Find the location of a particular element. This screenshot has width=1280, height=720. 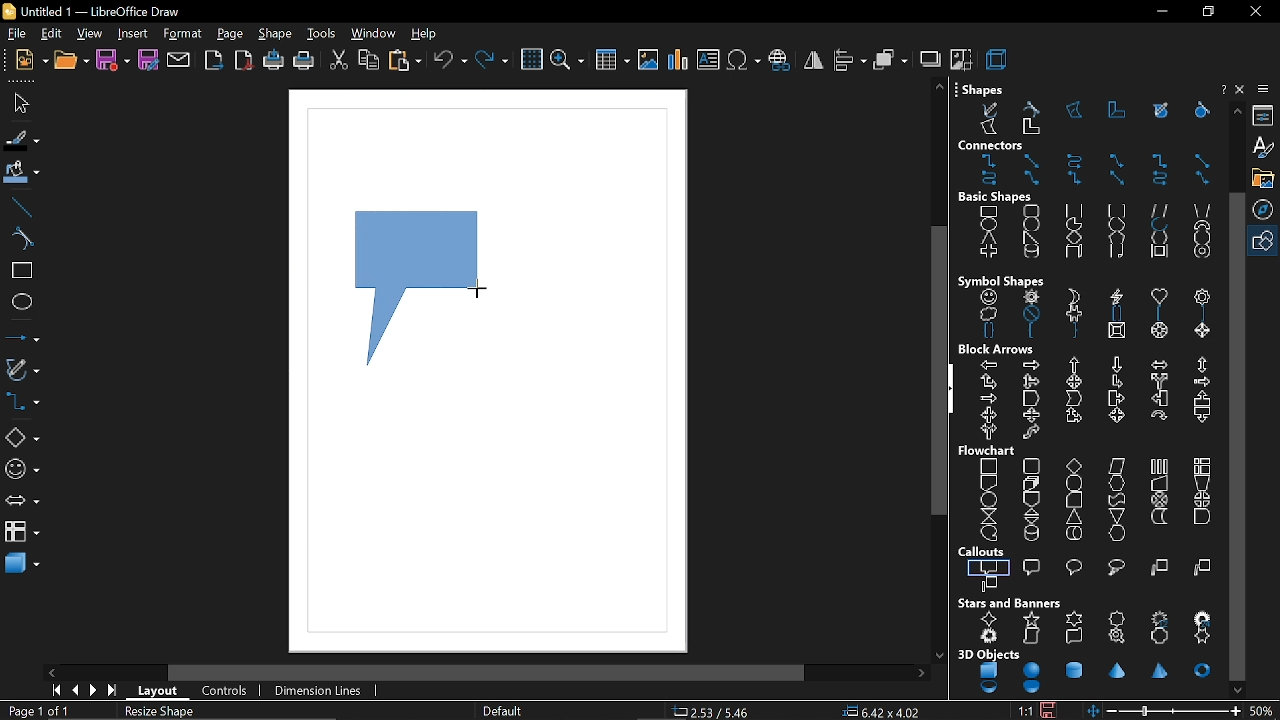

frame is located at coordinates (1156, 252).